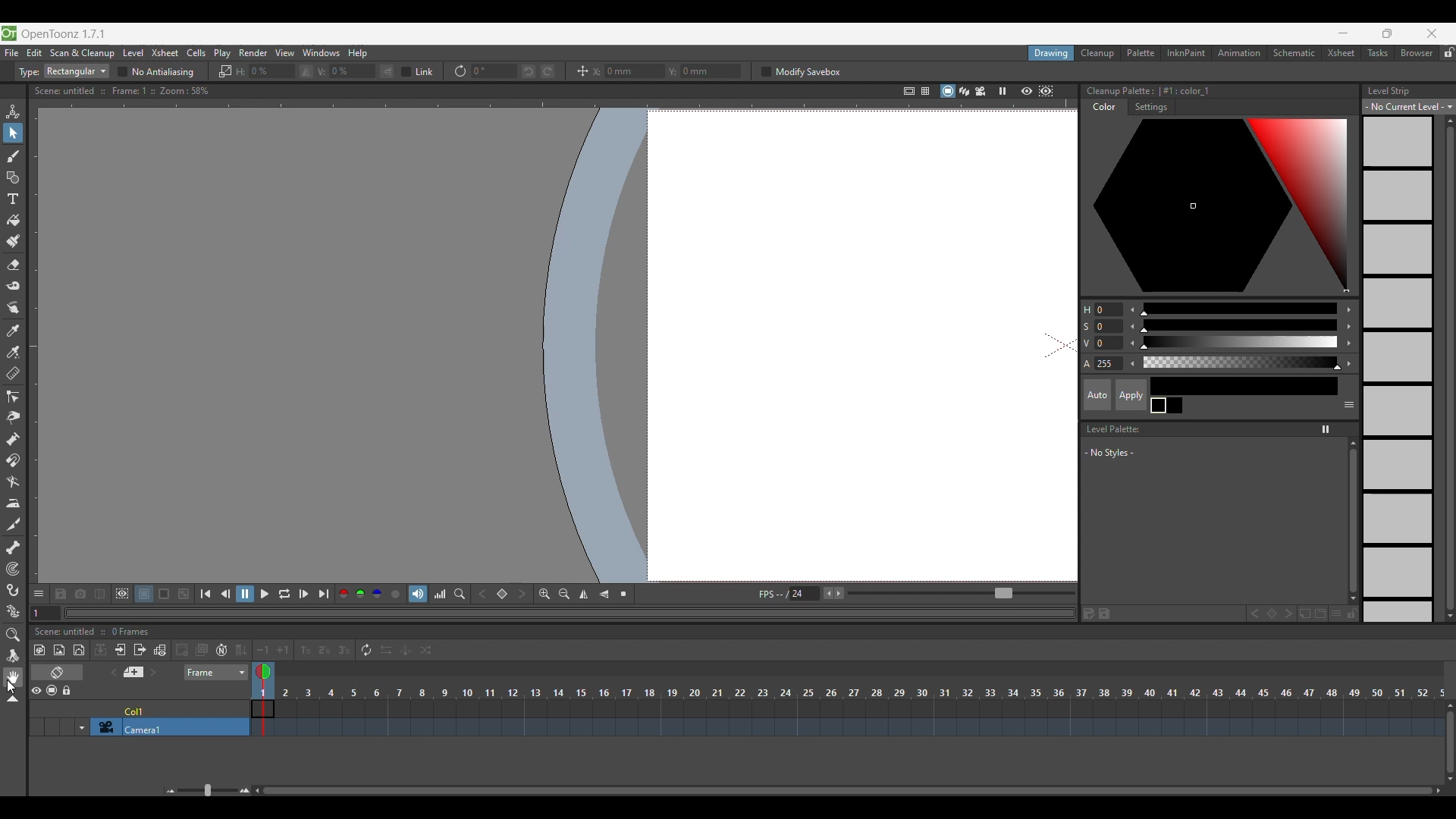  I want to click on Rotate selection right, so click(548, 71).